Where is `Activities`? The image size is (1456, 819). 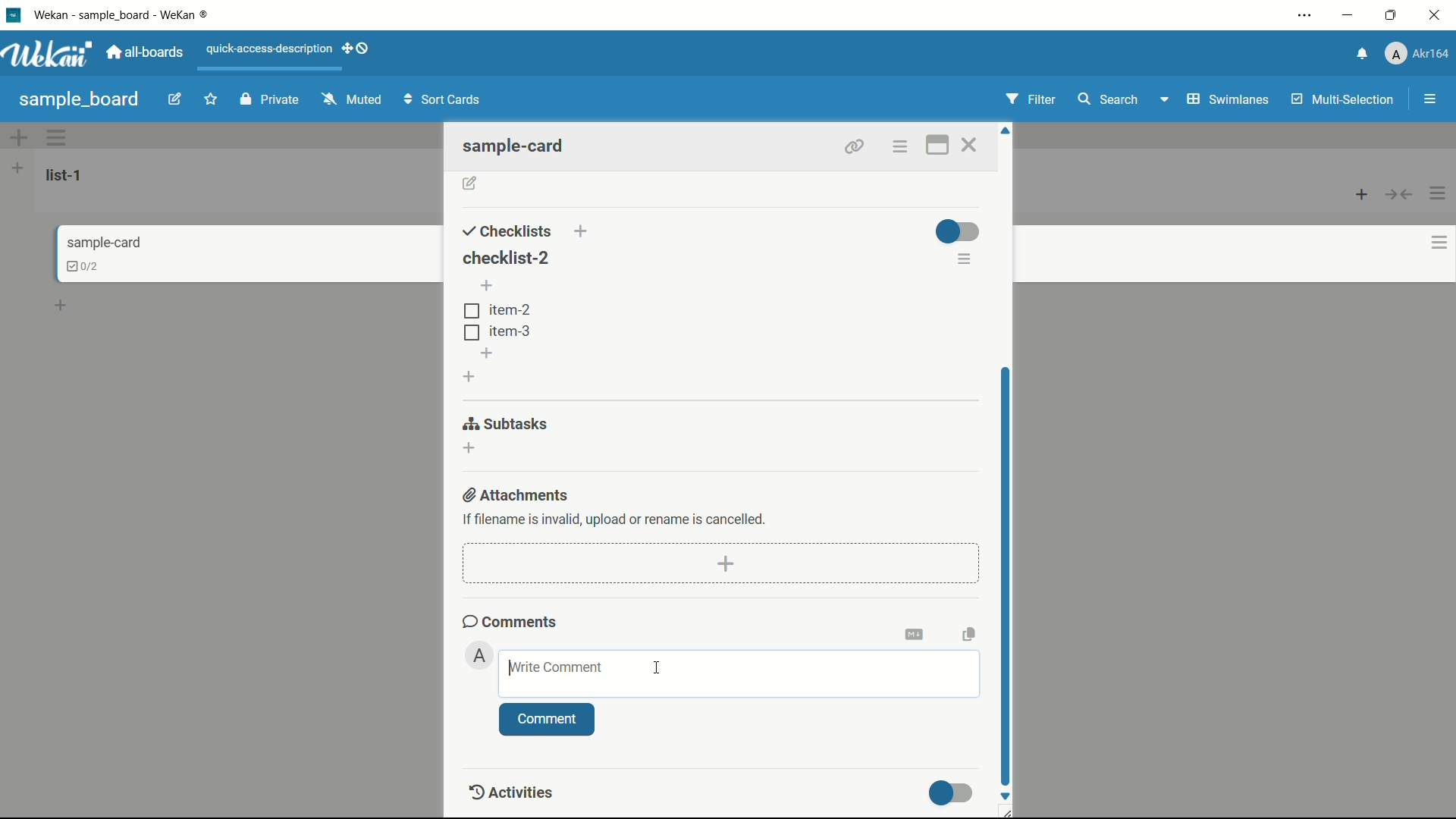
Activities is located at coordinates (523, 792).